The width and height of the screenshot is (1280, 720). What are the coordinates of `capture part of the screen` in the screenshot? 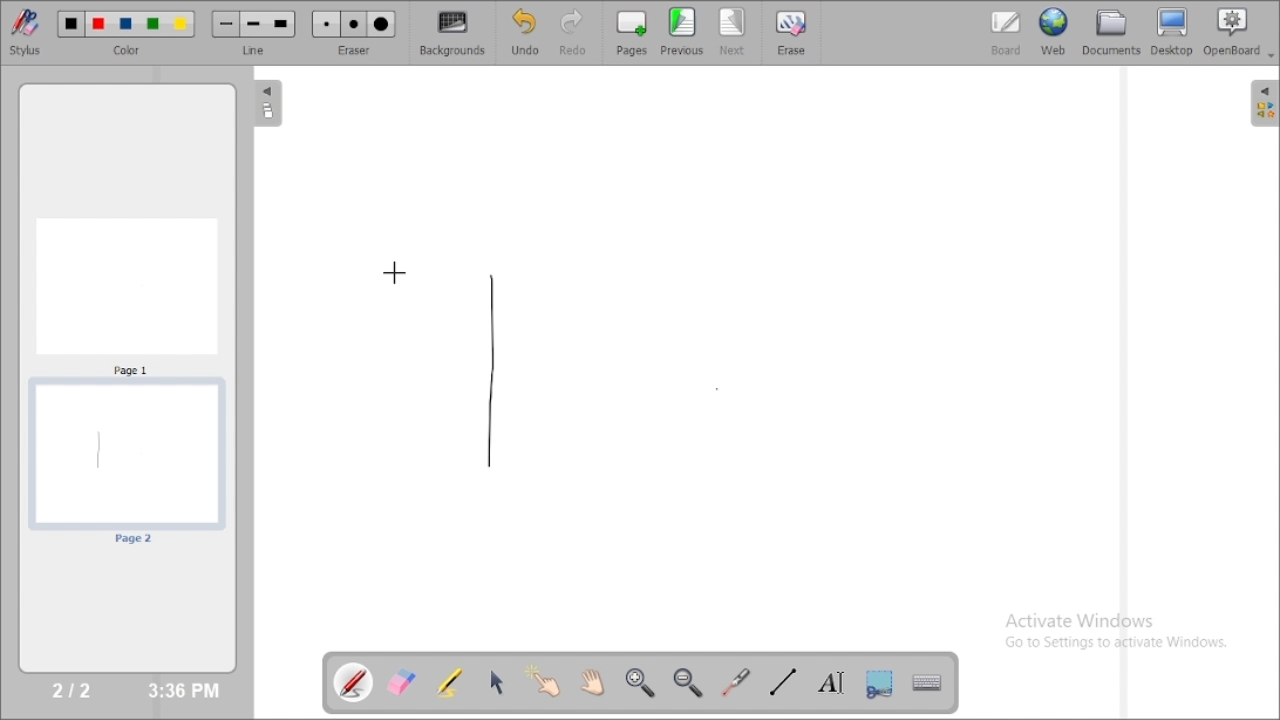 It's located at (879, 683).